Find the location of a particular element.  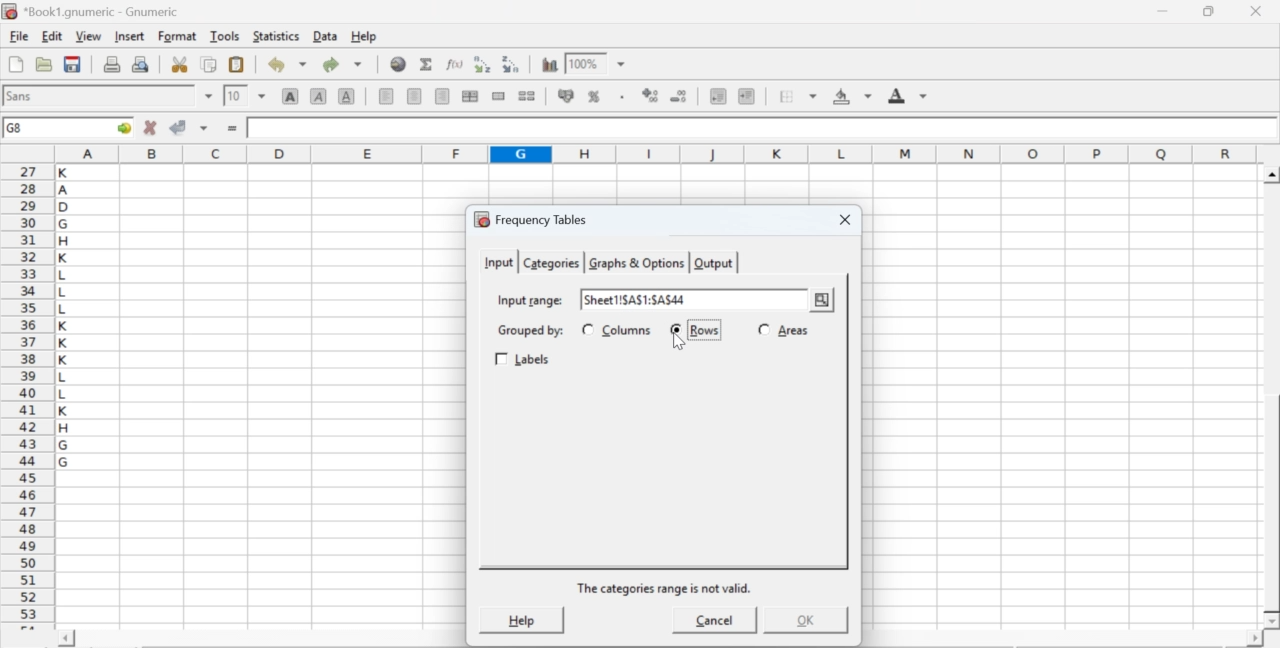

redo is located at coordinates (342, 64).